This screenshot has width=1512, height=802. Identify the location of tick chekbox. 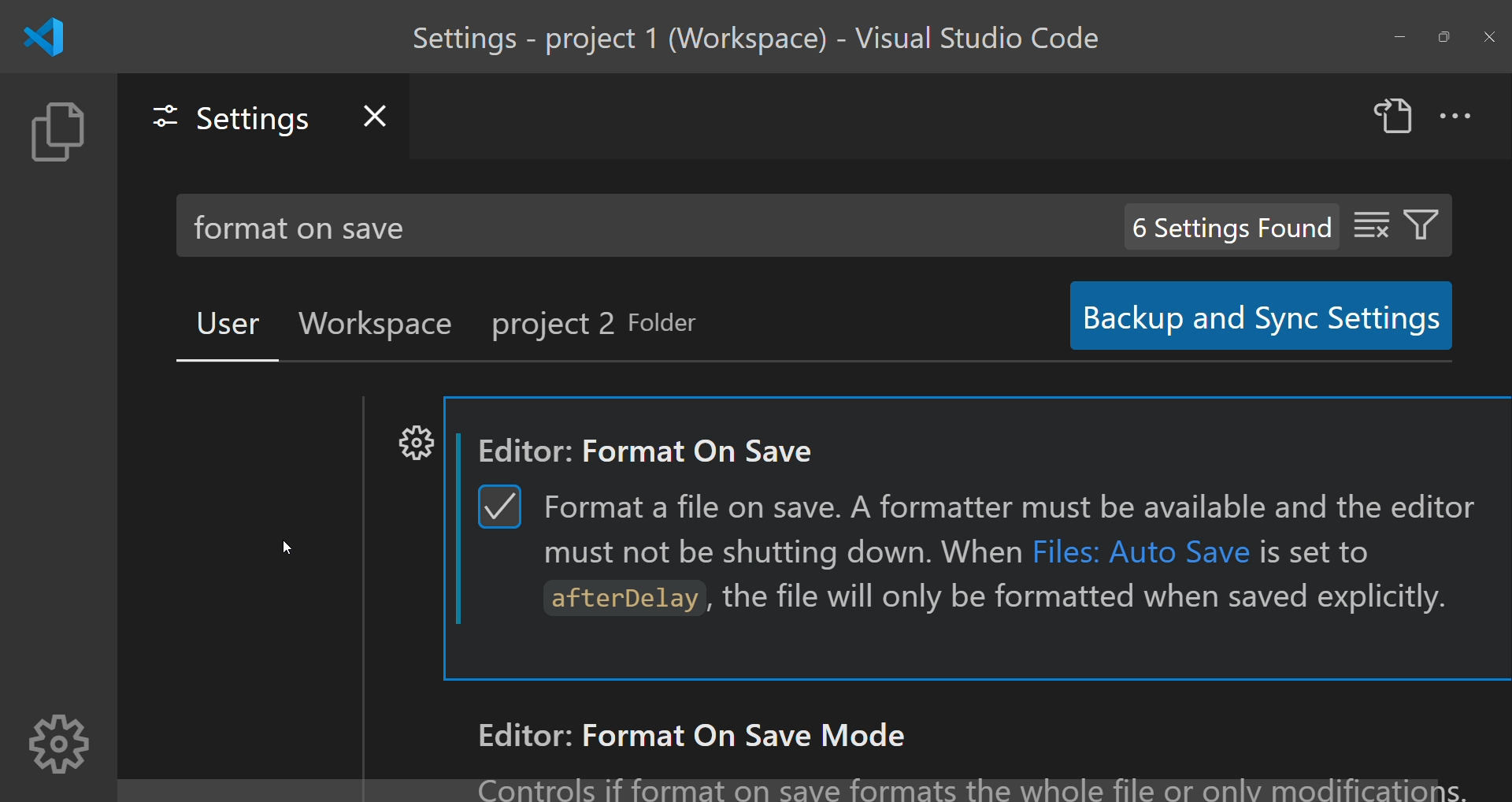
(502, 505).